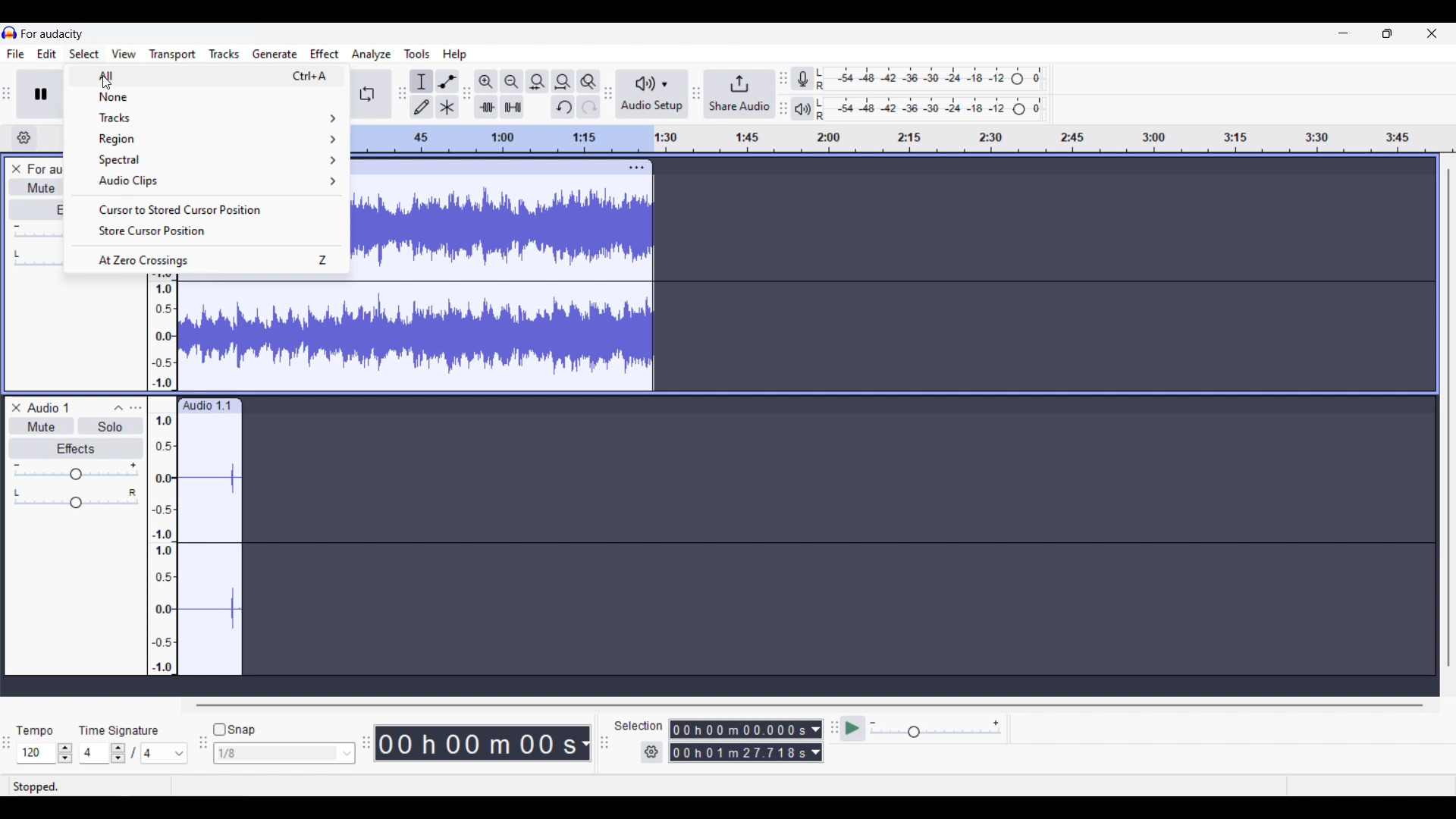 Image resolution: width=1456 pixels, height=819 pixels. What do you see at coordinates (224, 53) in the screenshot?
I see `Tracks` at bounding box center [224, 53].